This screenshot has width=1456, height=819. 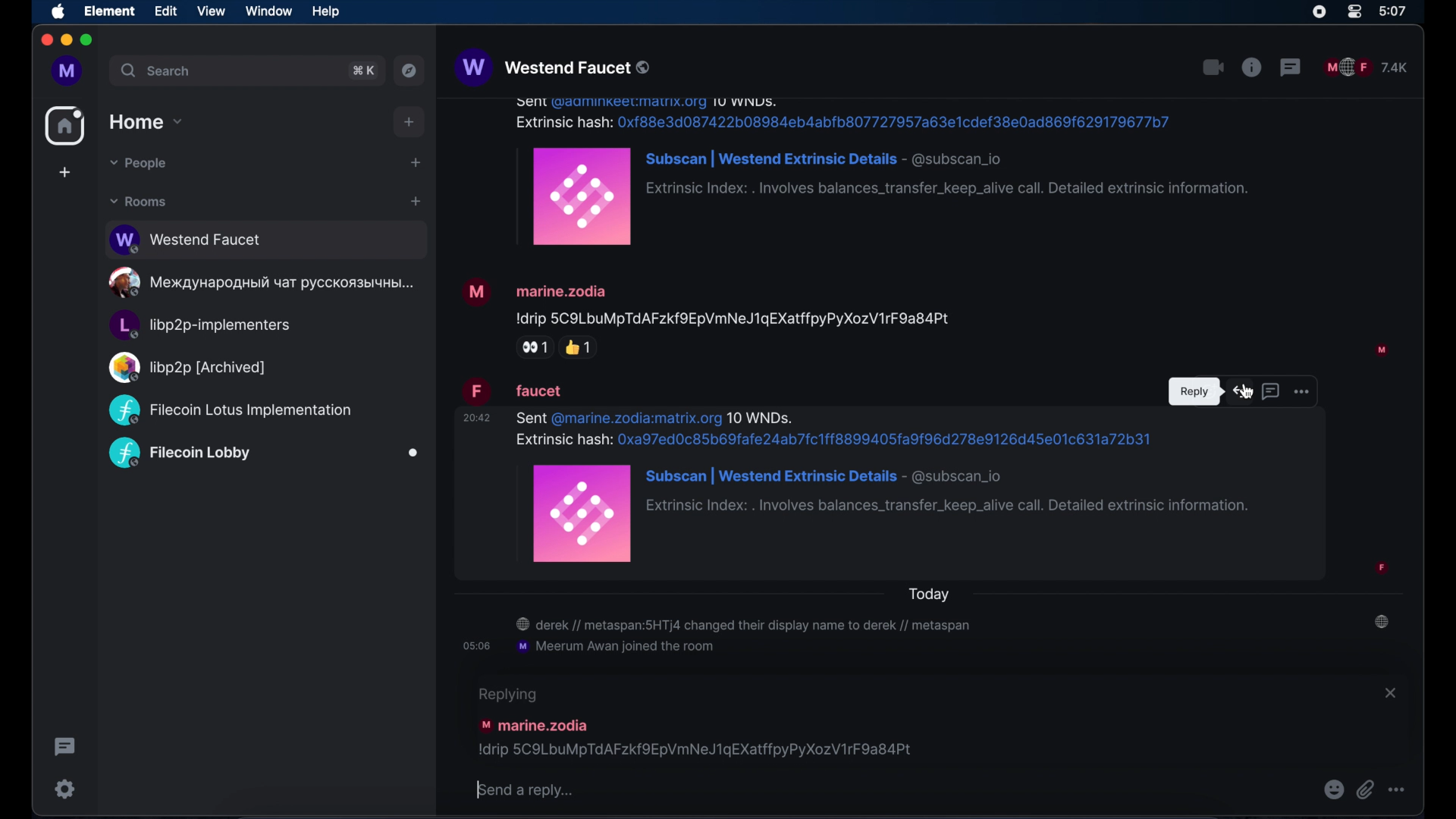 I want to click on send a reply, so click(x=532, y=789).